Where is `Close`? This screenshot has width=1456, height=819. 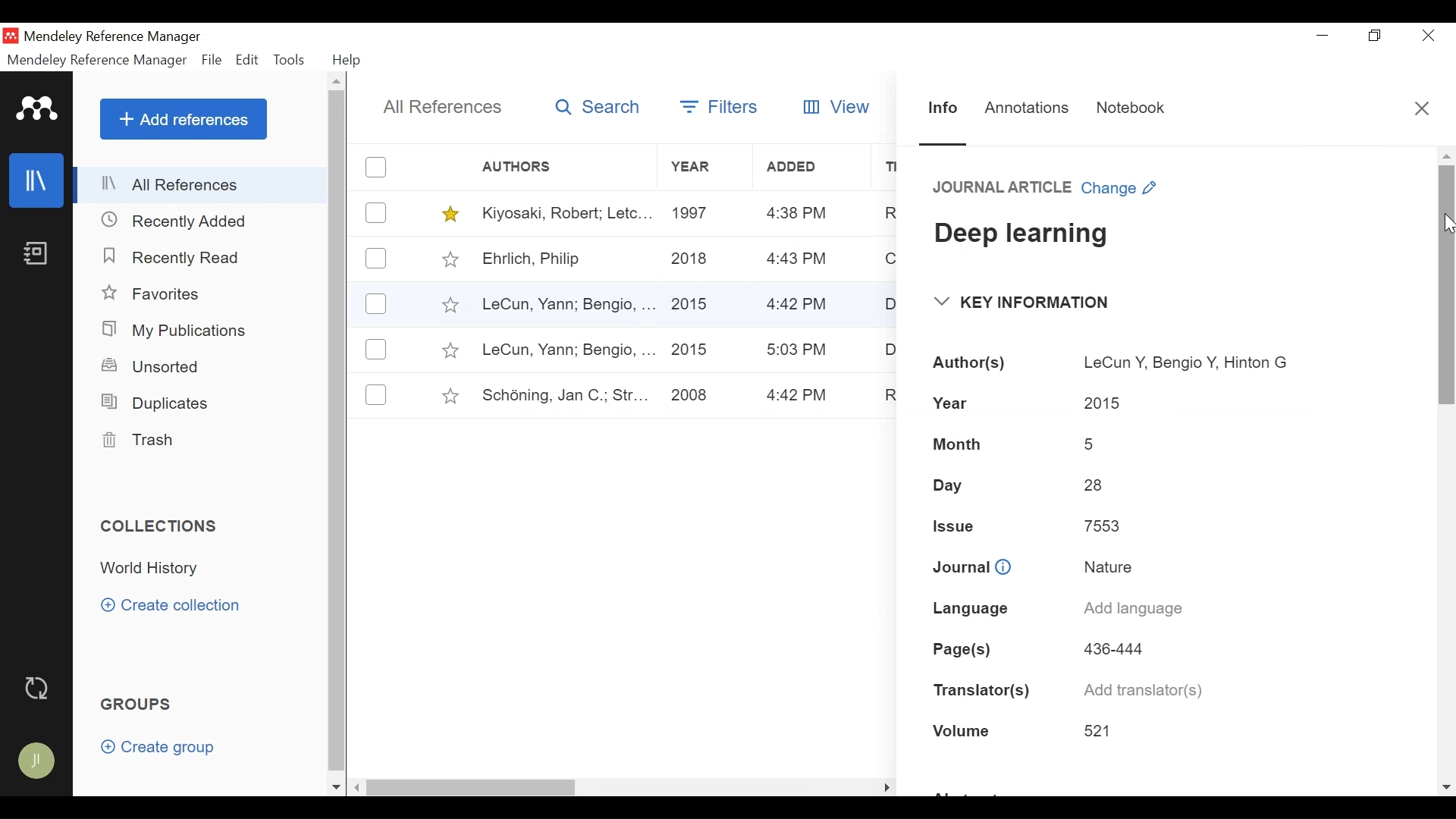 Close is located at coordinates (1425, 108).